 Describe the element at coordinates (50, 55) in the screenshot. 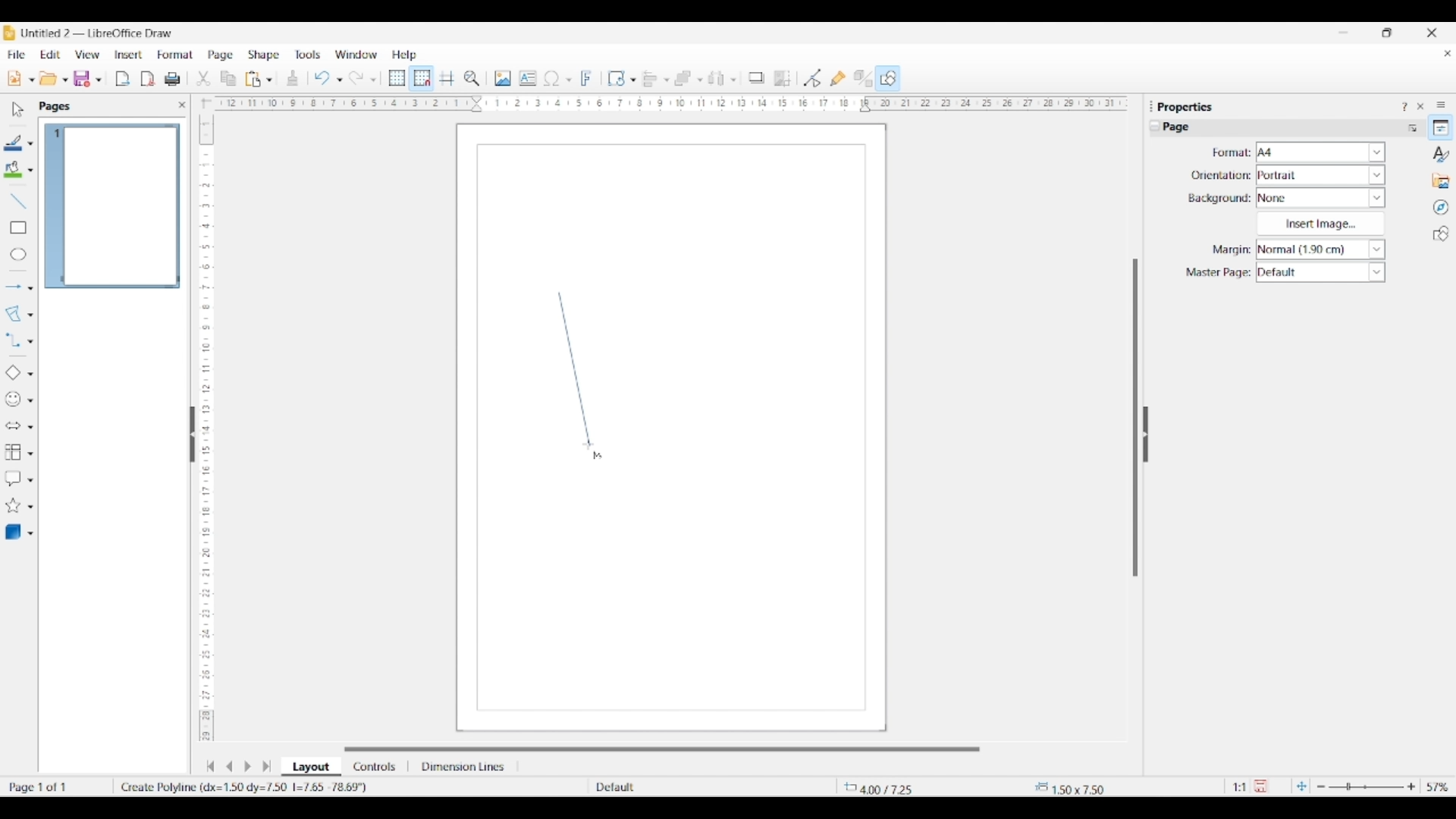

I see `Edit` at that location.